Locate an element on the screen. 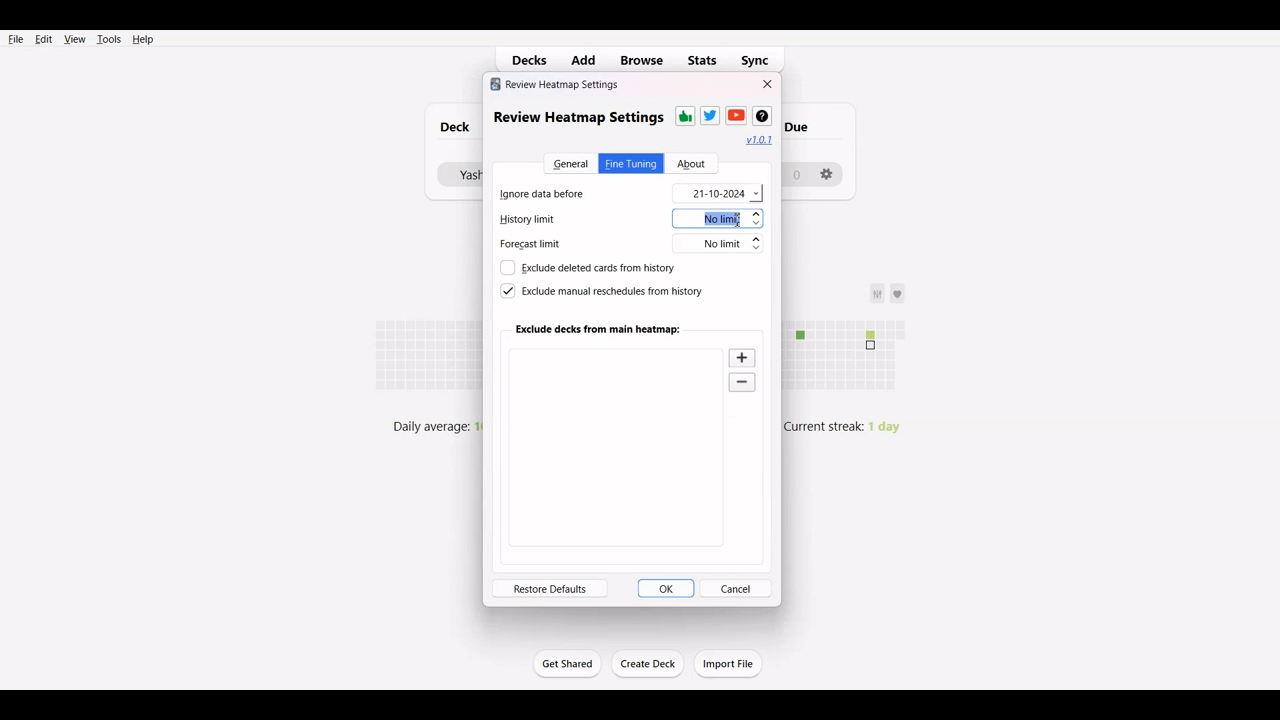 Image resolution: width=1280 pixels, height=720 pixels. Exclude deck from main heatmap is located at coordinates (599, 329).